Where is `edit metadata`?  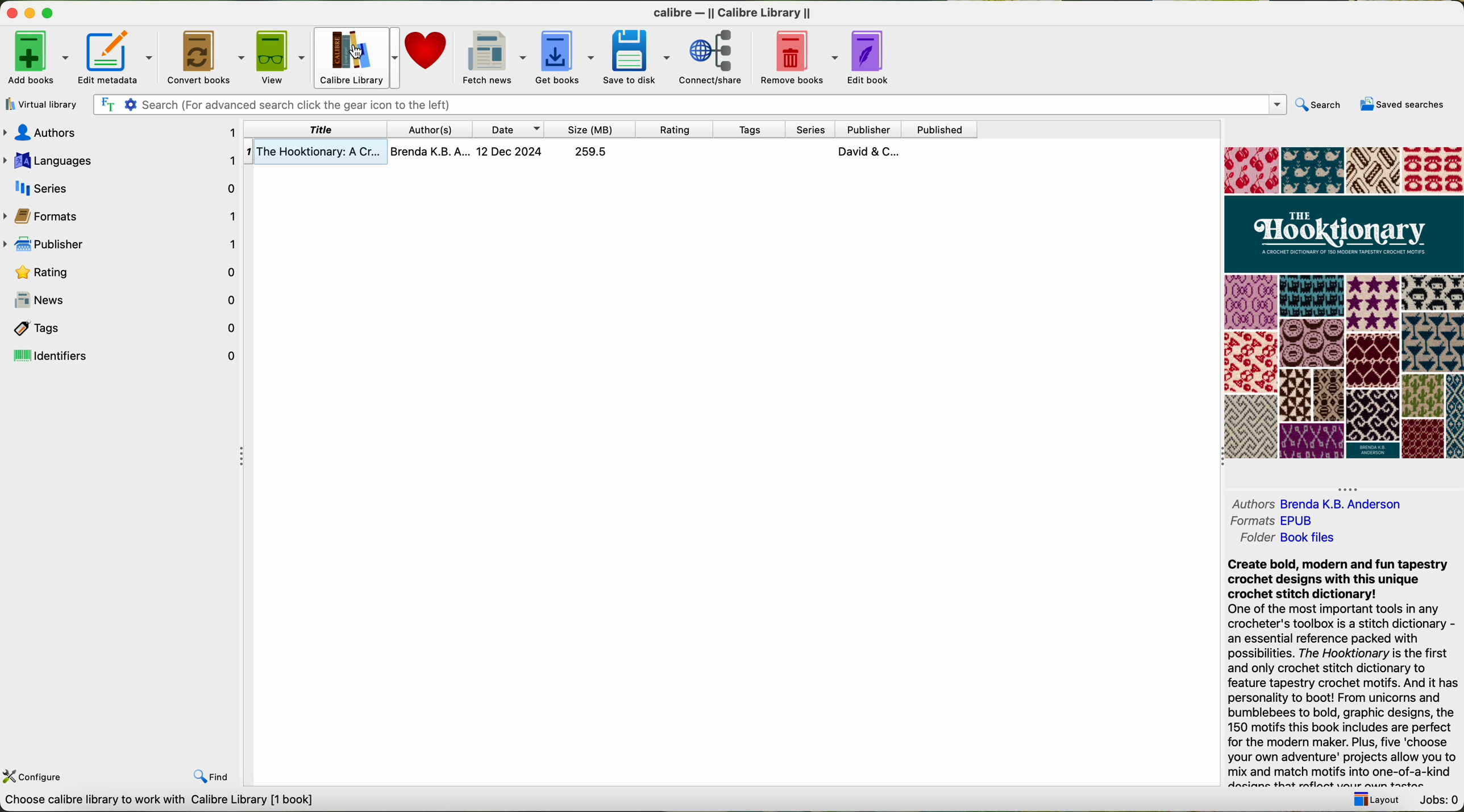 edit metadata is located at coordinates (116, 57).